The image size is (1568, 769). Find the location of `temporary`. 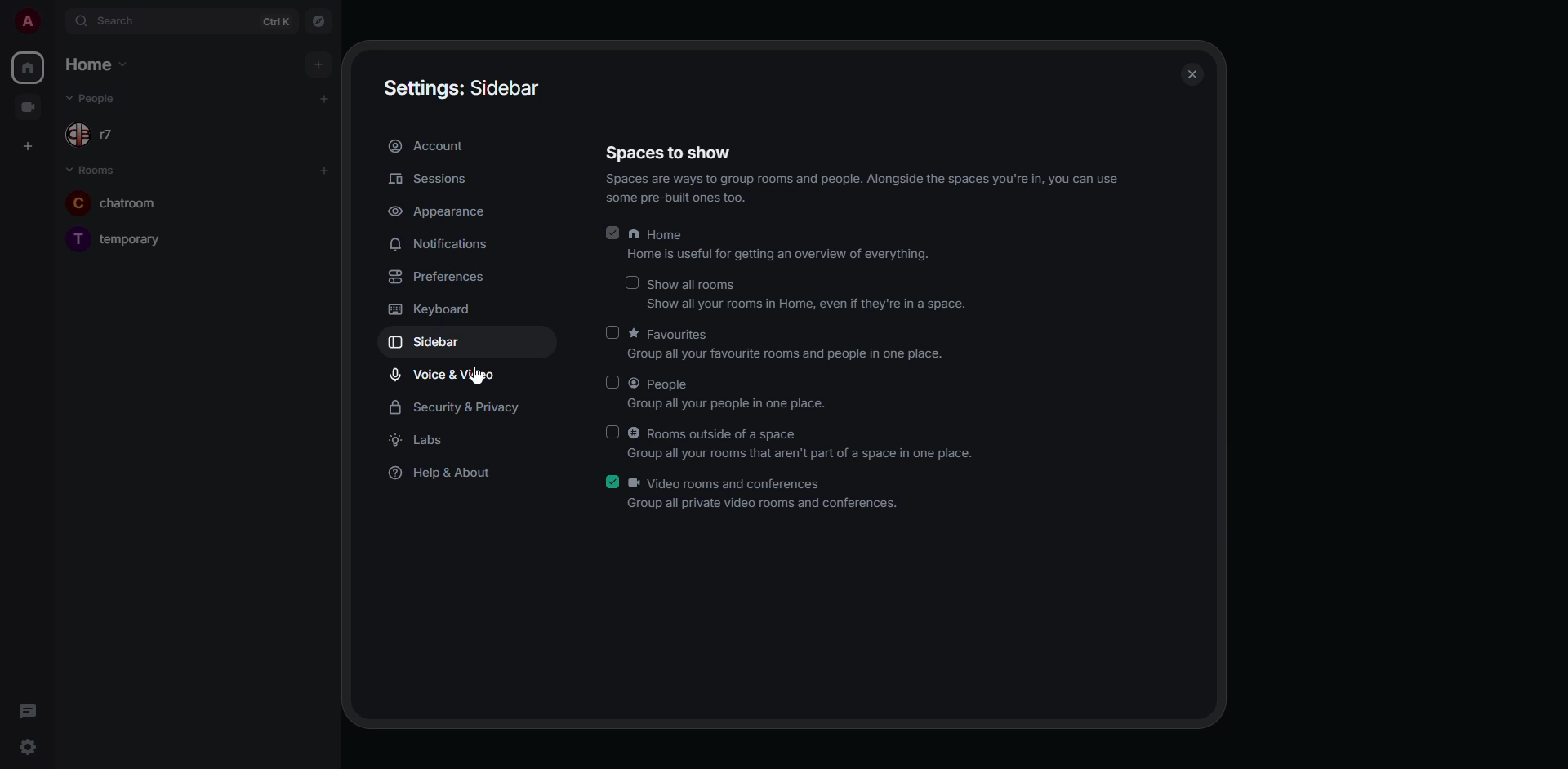

temporary is located at coordinates (120, 237).